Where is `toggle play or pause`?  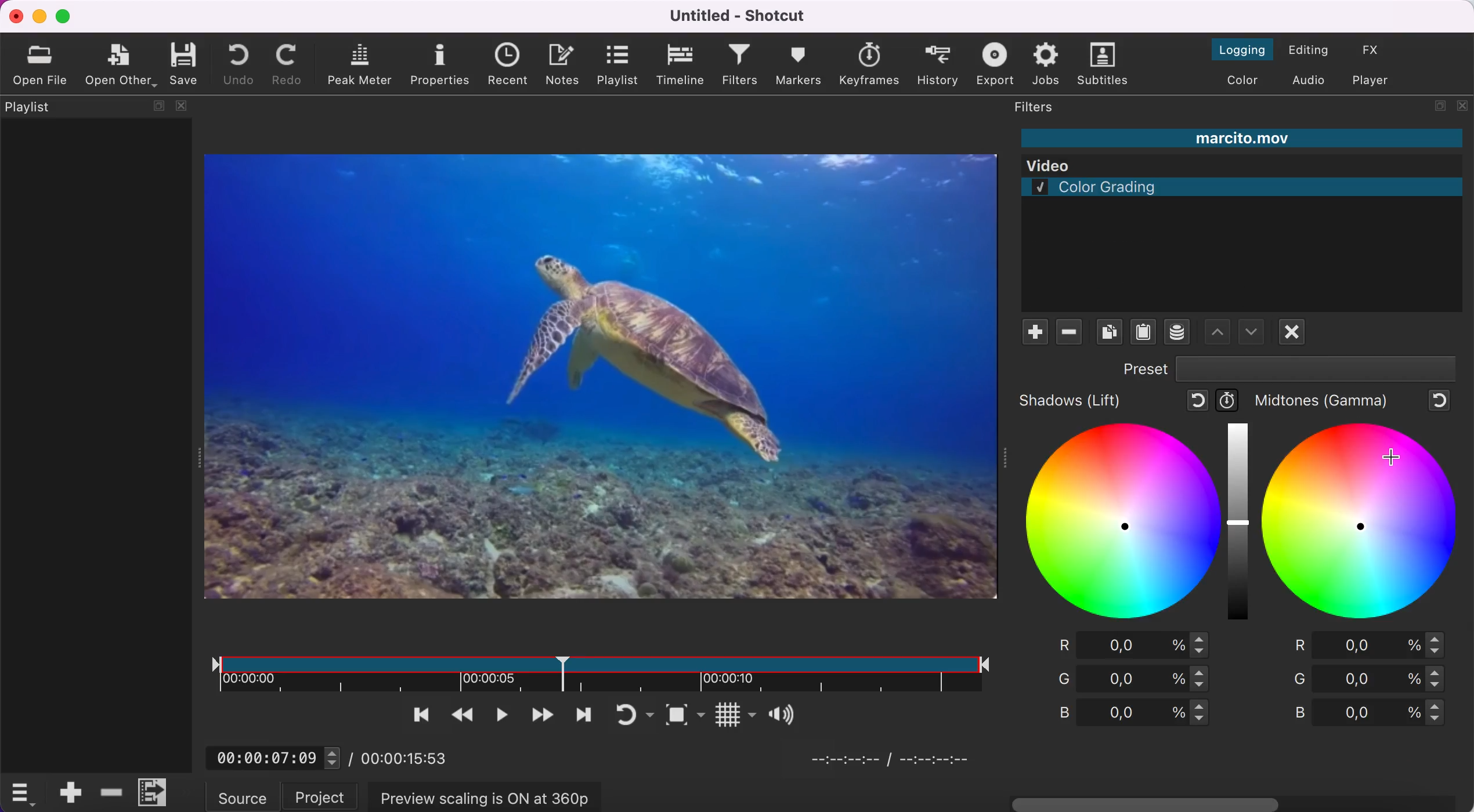
toggle play or pause is located at coordinates (499, 714).